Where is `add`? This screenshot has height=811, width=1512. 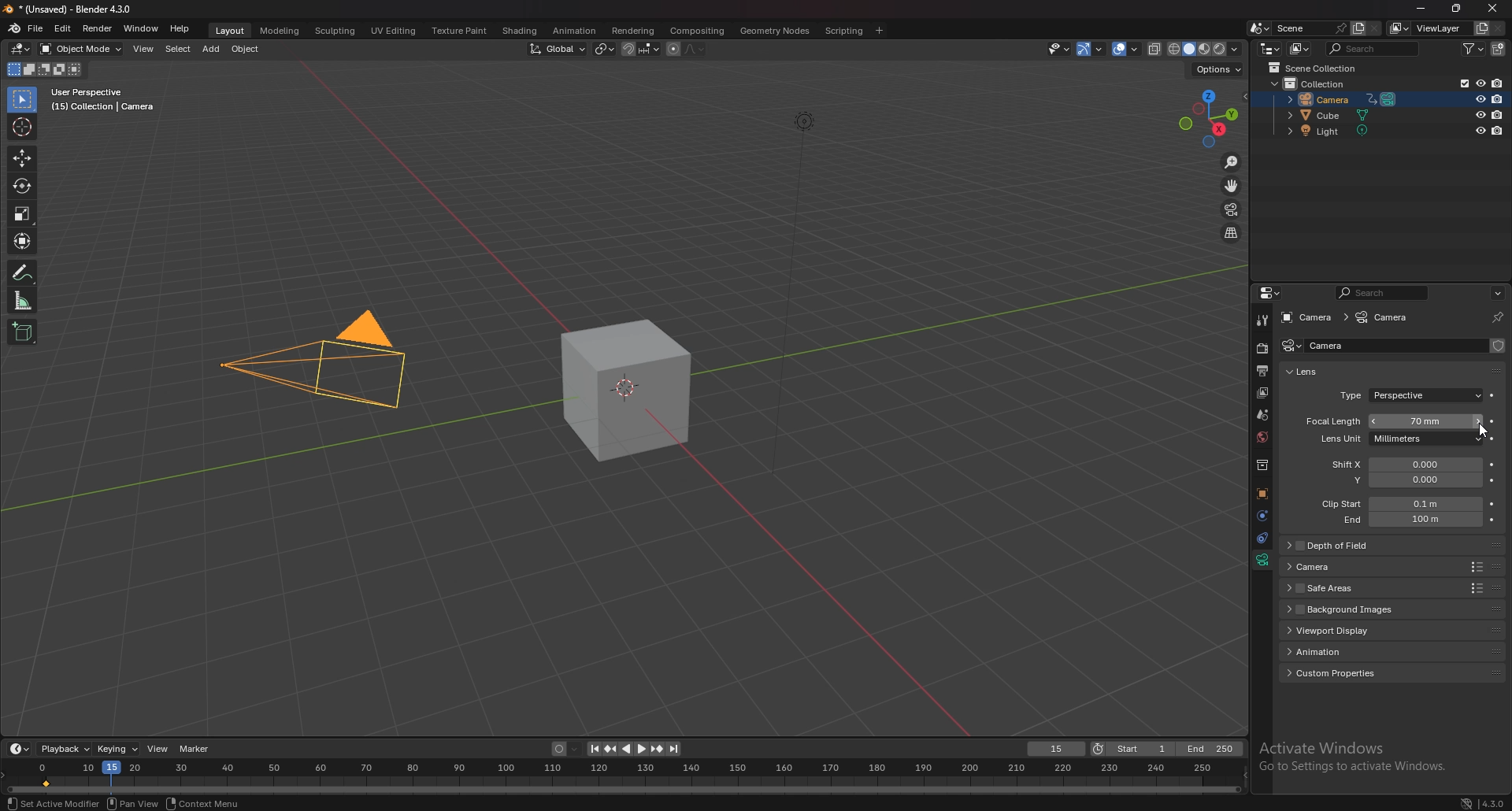 add is located at coordinates (211, 50).